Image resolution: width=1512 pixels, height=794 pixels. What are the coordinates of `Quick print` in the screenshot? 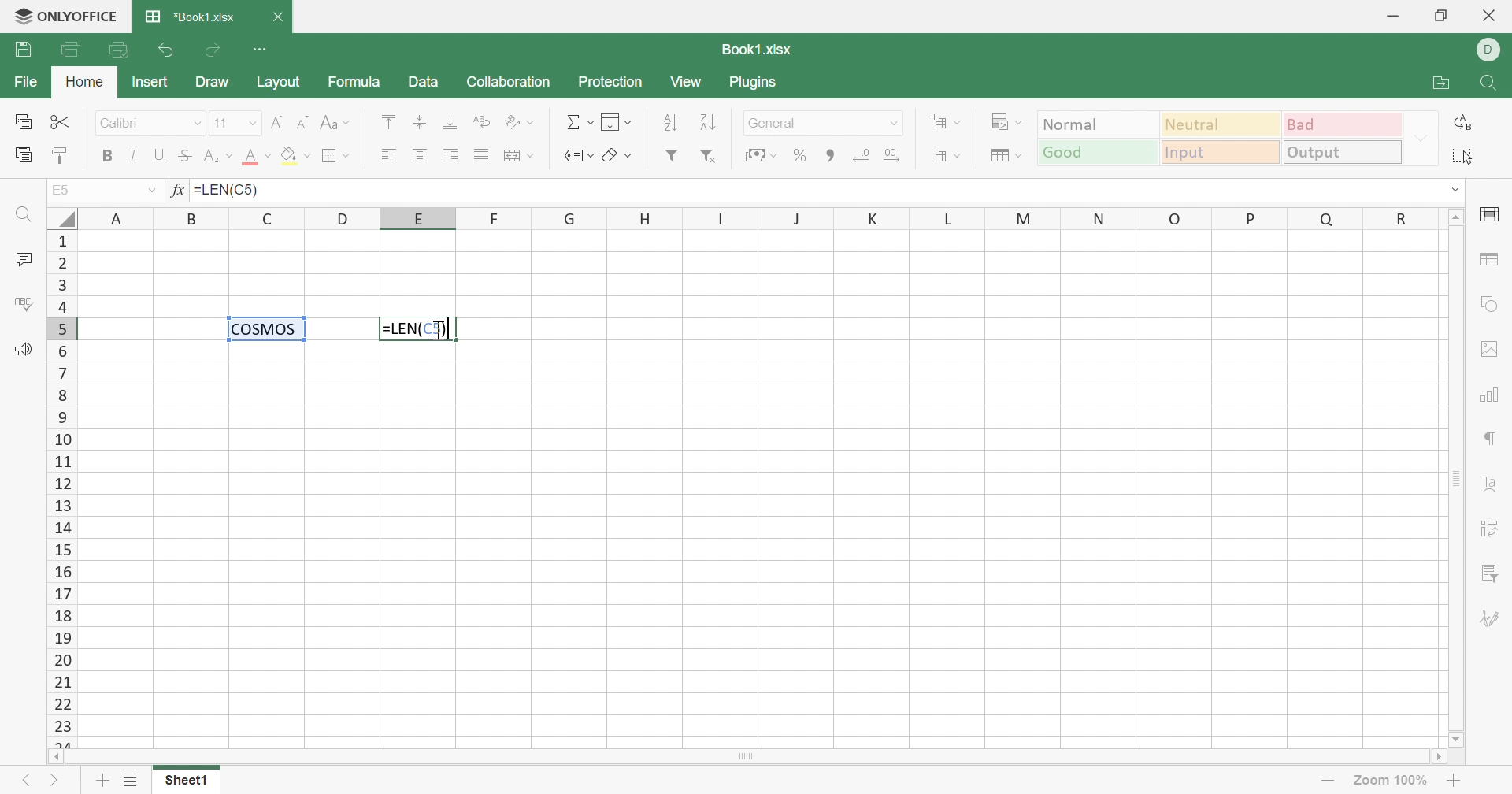 It's located at (119, 52).